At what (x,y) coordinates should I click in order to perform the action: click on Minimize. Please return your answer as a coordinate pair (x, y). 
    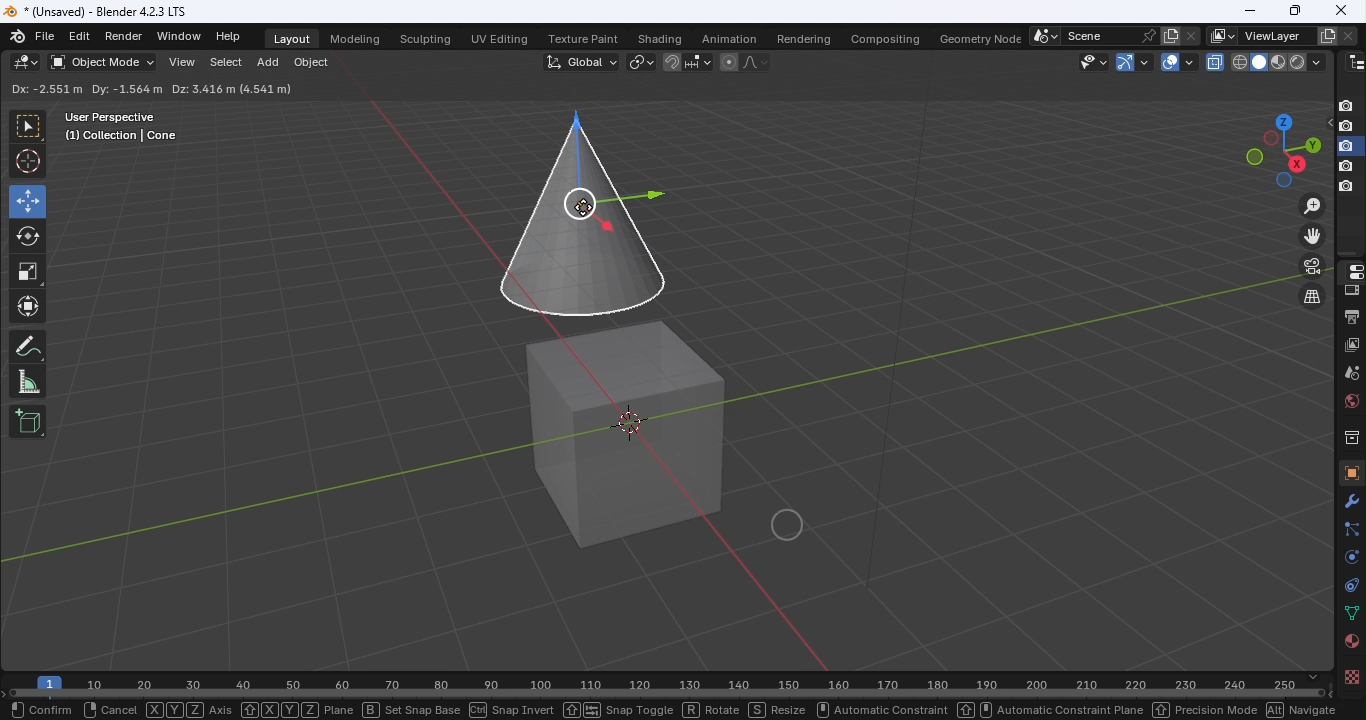
    Looking at the image, I should click on (1249, 10).